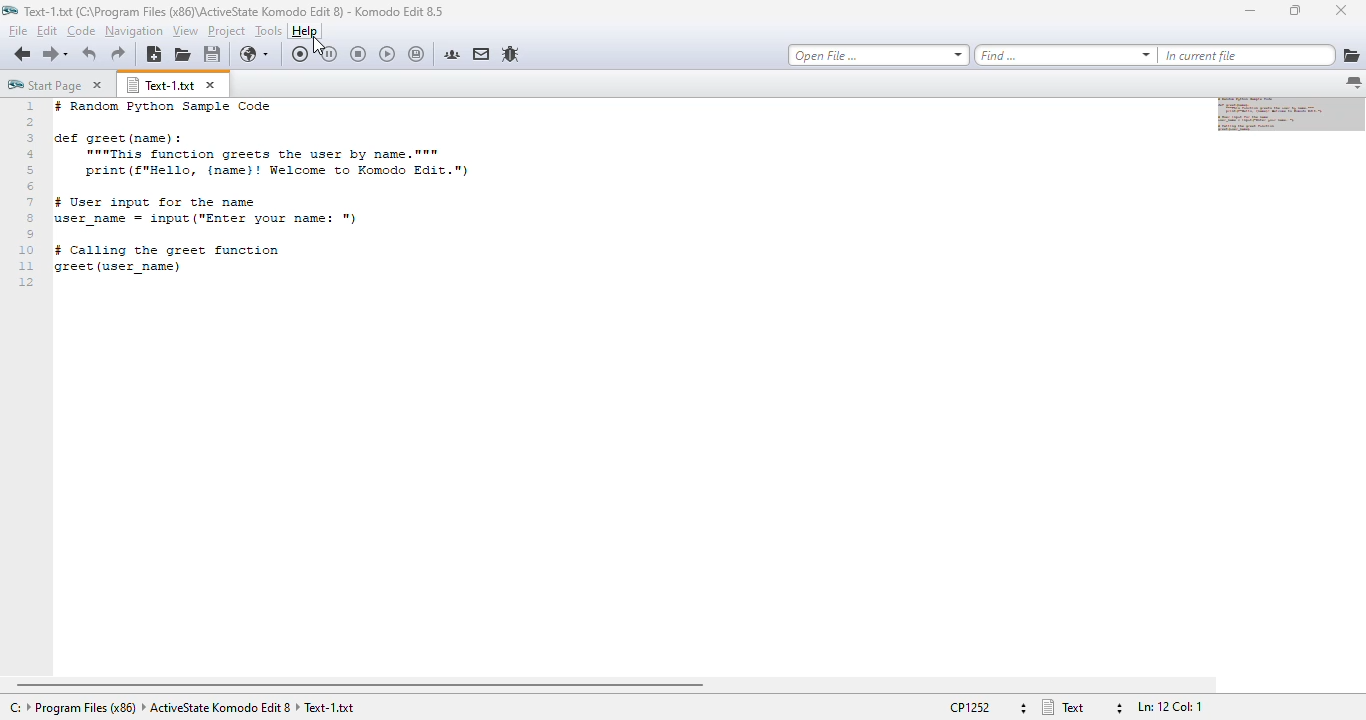 Image resolution: width=1366 pixels, height=720 pixels. Describe the element at coordinates (361, 685) in the screenshot. I see `horizontal scroll bar` at that location.